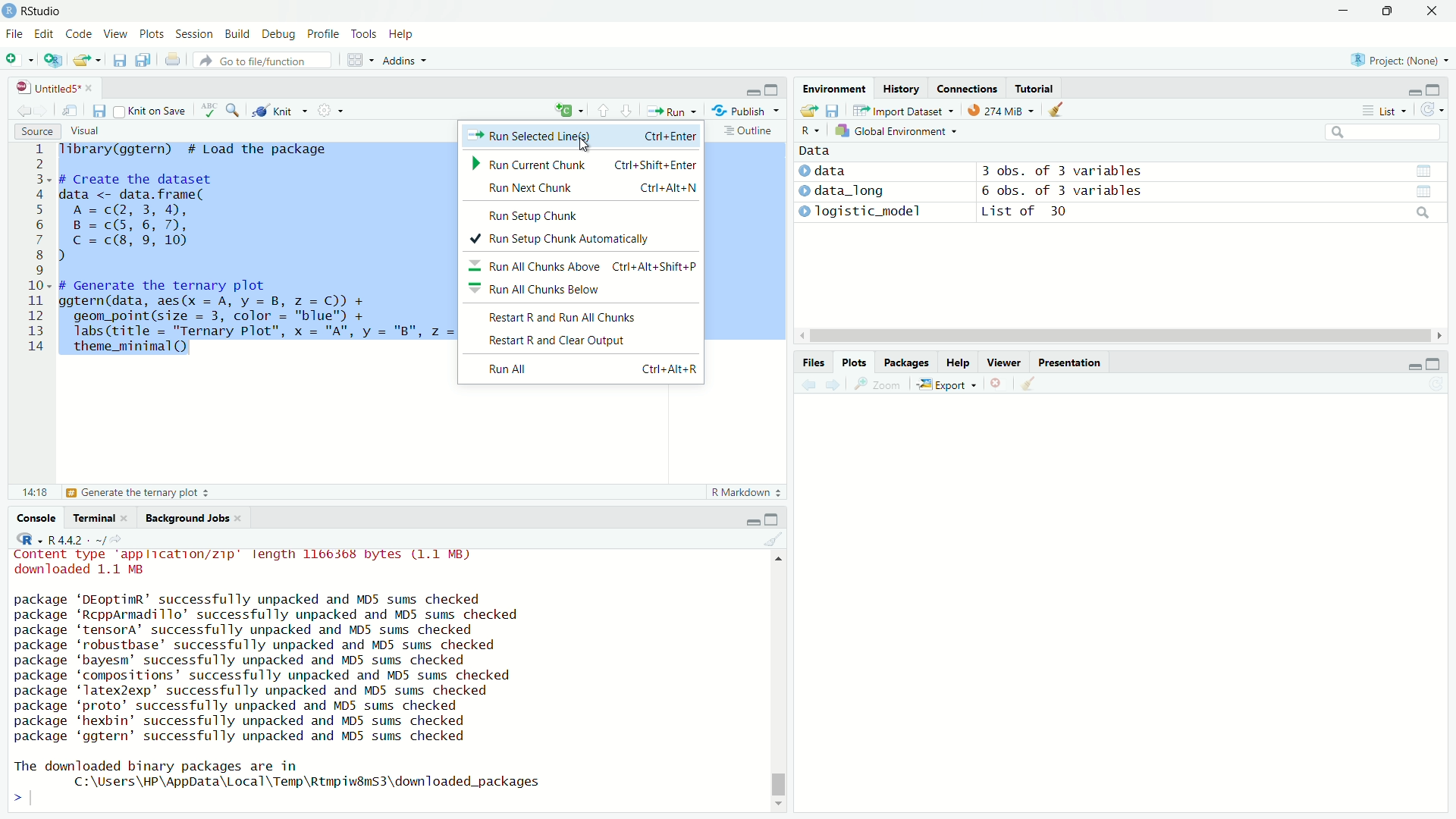  Describe the element at coordinates (996, 111) in the screenshot. I see `274 MiB` at that location.